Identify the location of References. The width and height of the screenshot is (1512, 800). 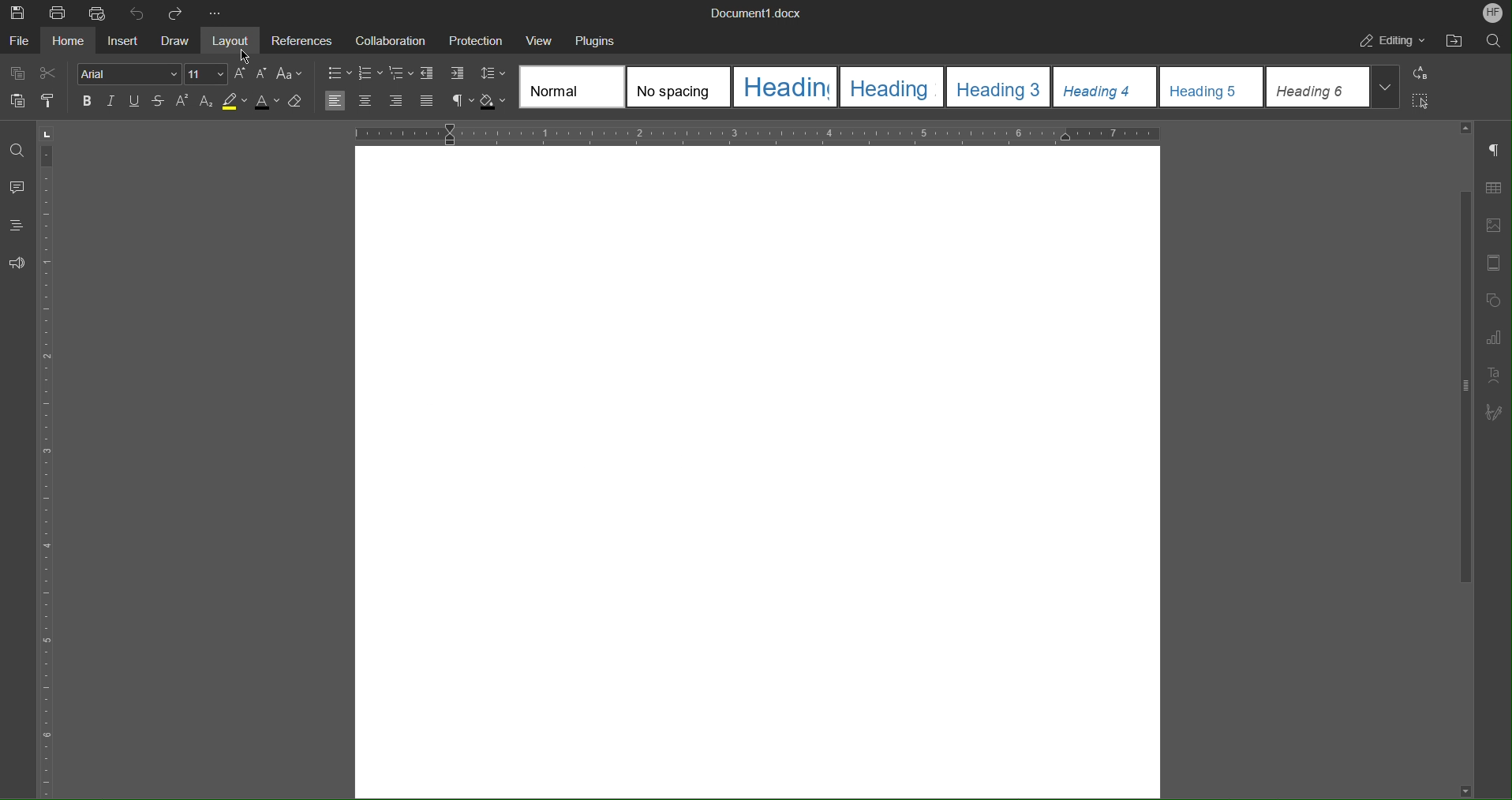
(299, 40).